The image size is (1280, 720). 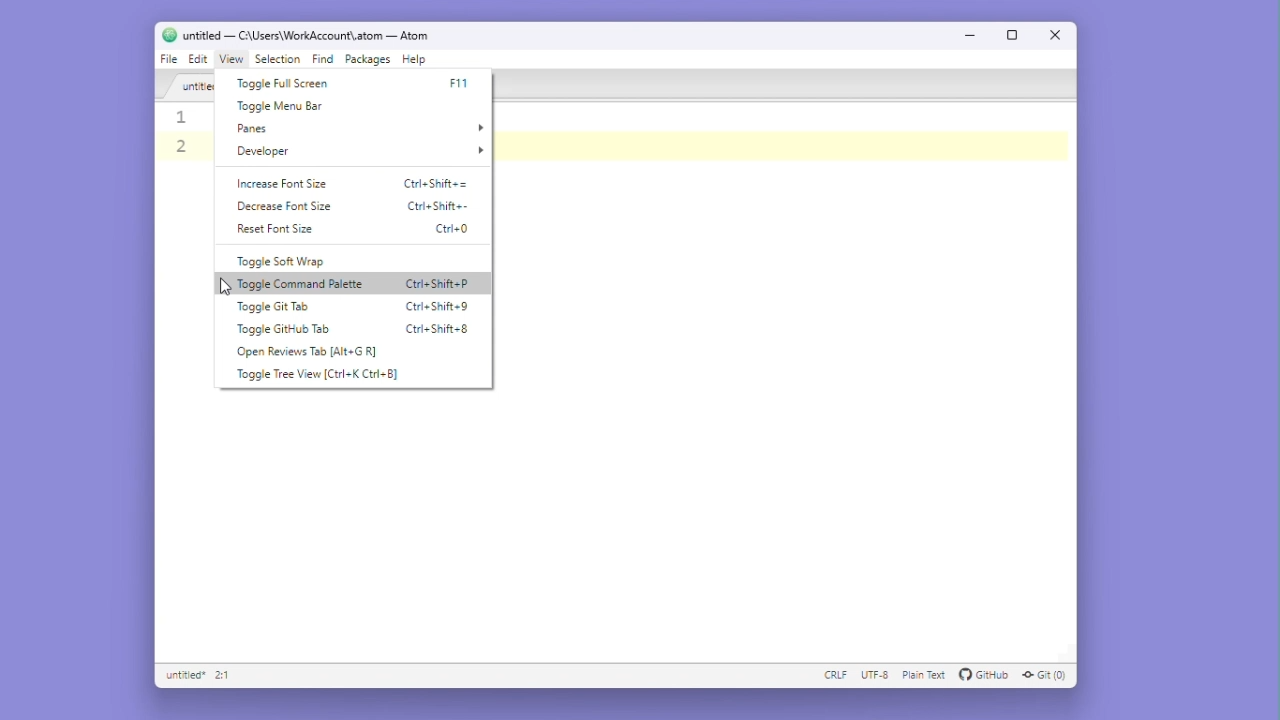 I want to click on ‘untitled — CA\Users\WorkAccount\ atom — Atom, so click(x=295, y=35).